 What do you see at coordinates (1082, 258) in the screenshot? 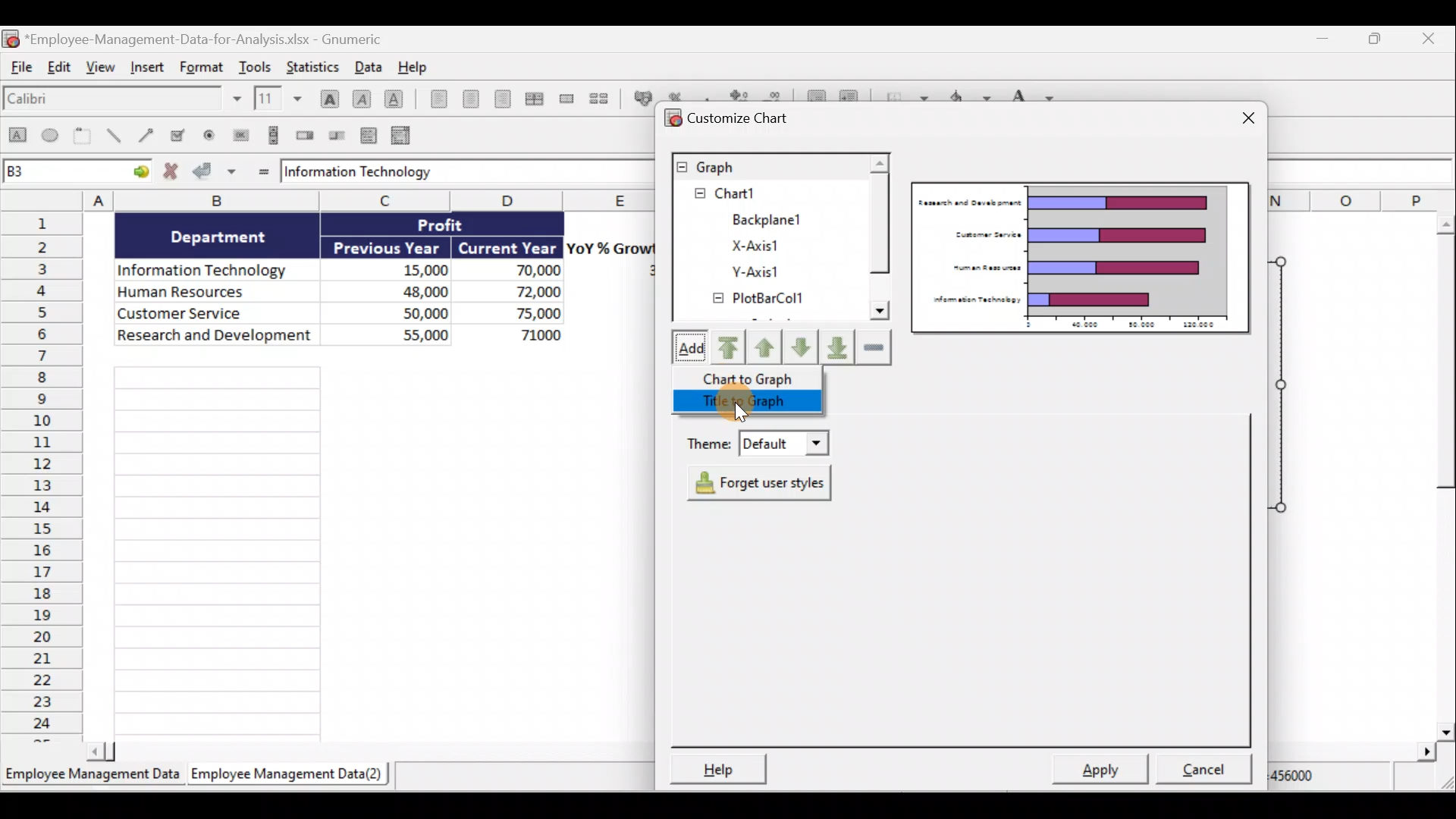
I see `Preview` at bounding box center [1082, 258].